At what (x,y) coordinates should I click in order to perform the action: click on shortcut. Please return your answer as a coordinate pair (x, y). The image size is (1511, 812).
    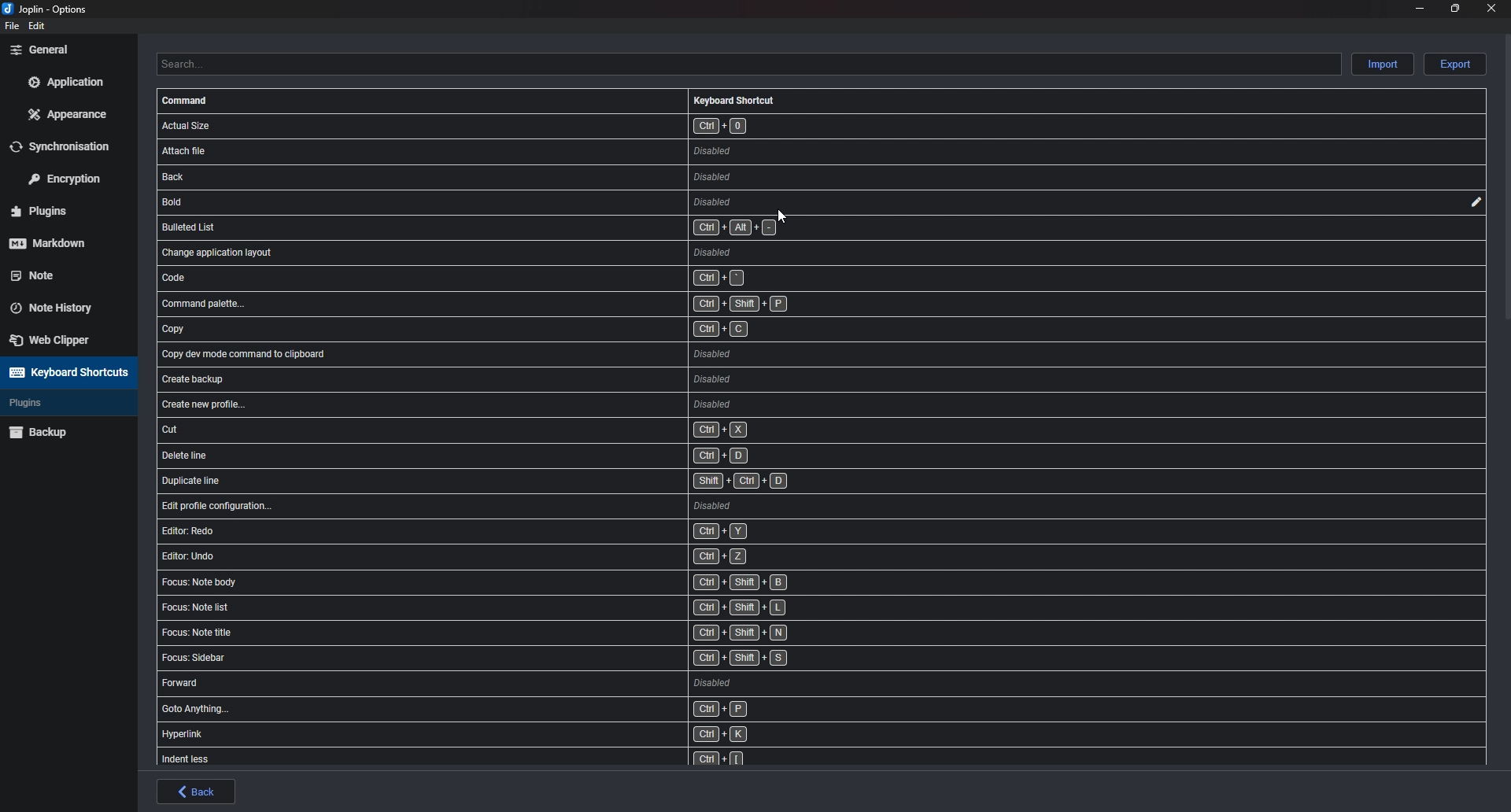
    Looking at the image, I should click on (515, 633).